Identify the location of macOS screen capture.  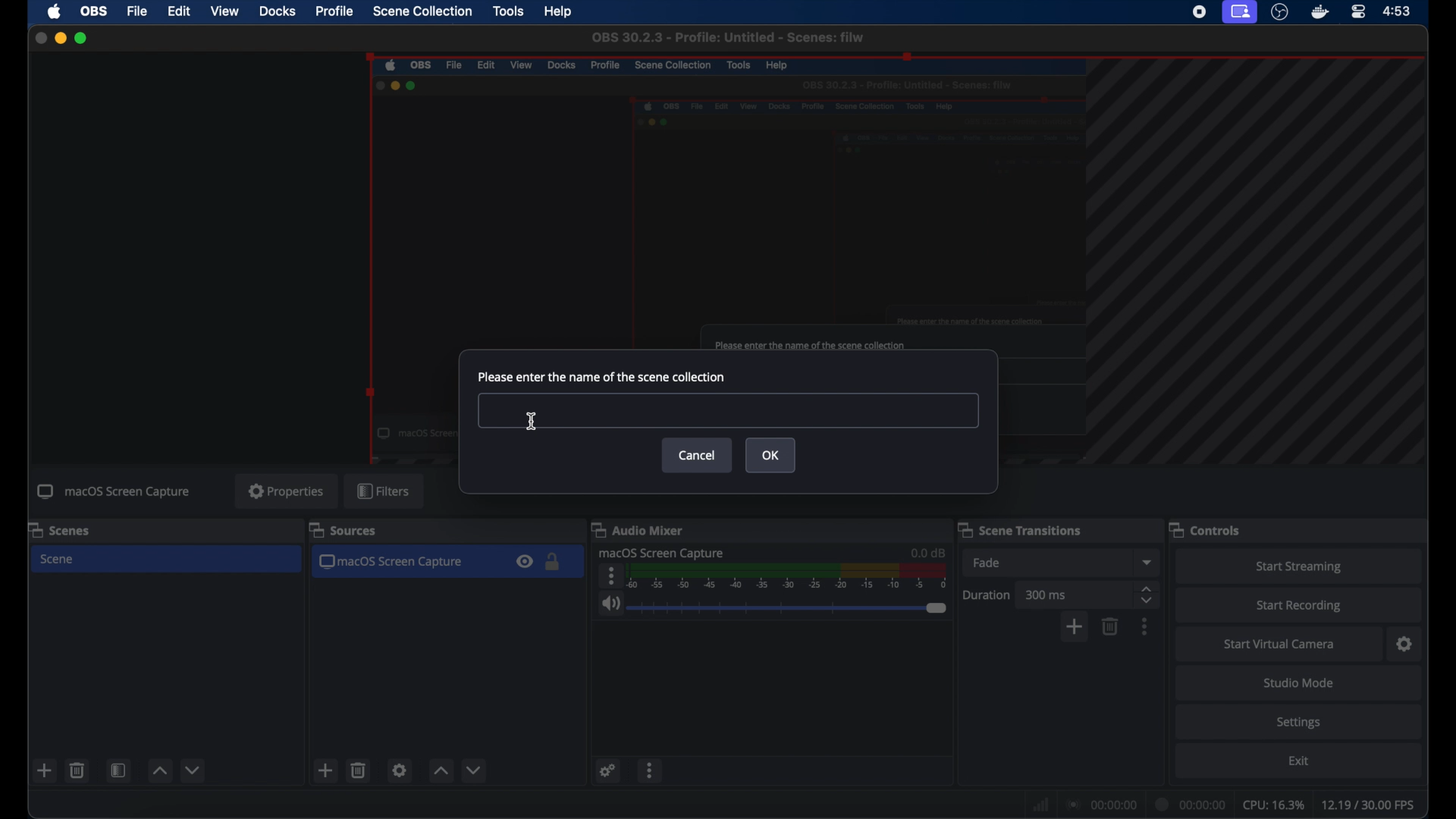
(663, 553).